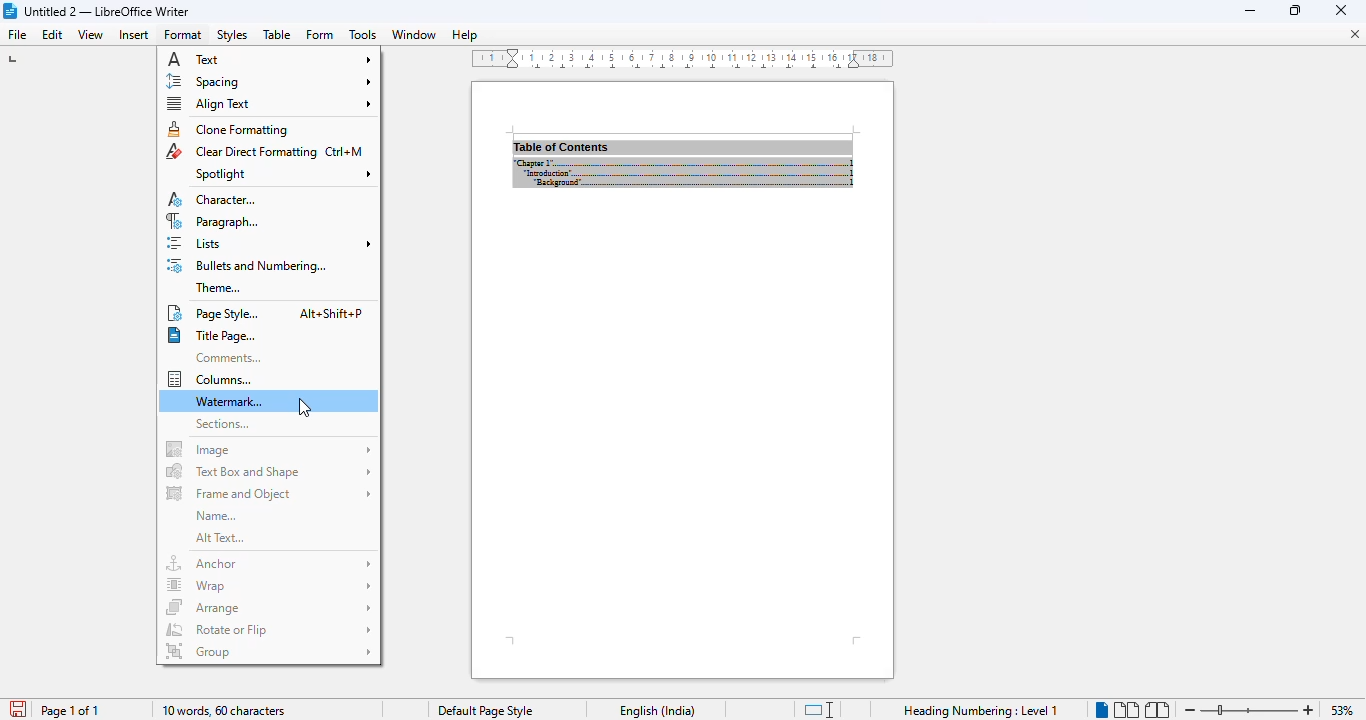 This screenshot has width=1366, height=720. I want to click on clear direct formatting, so click(242, 152).